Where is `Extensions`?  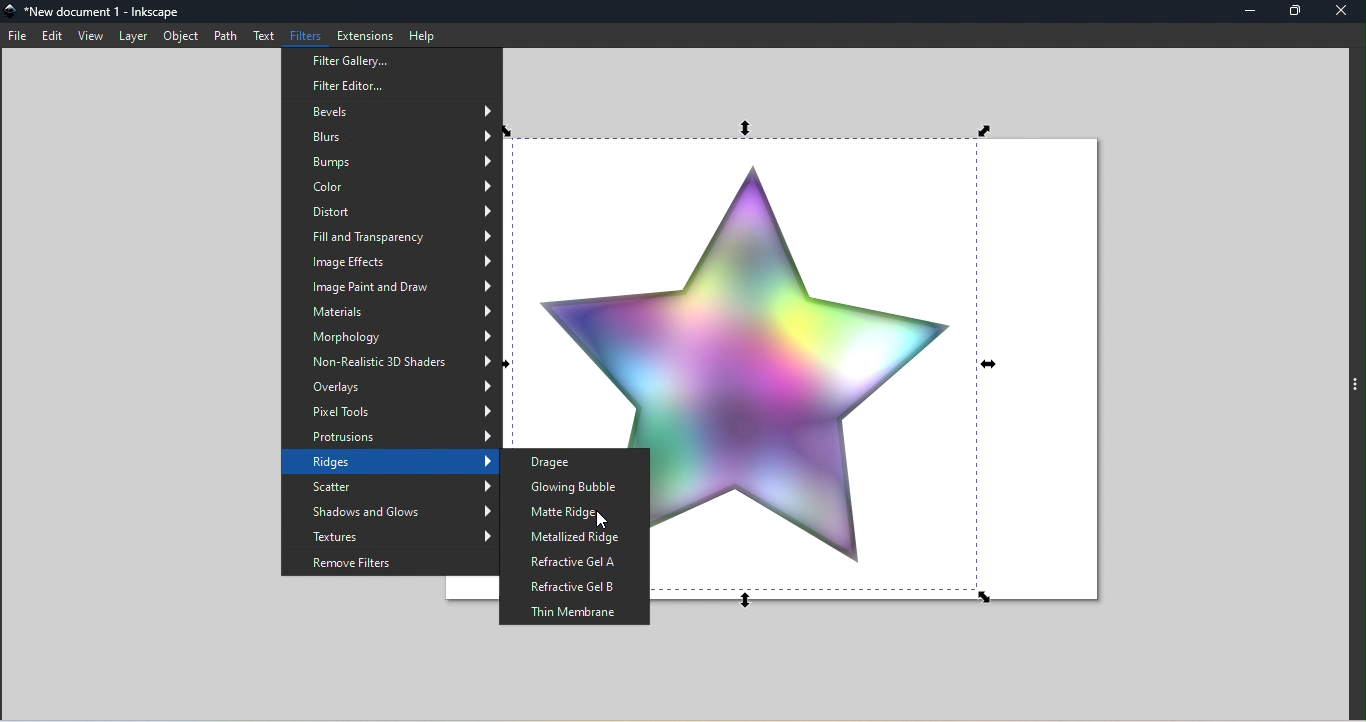
Extensions is located at coordinates (365, 33).